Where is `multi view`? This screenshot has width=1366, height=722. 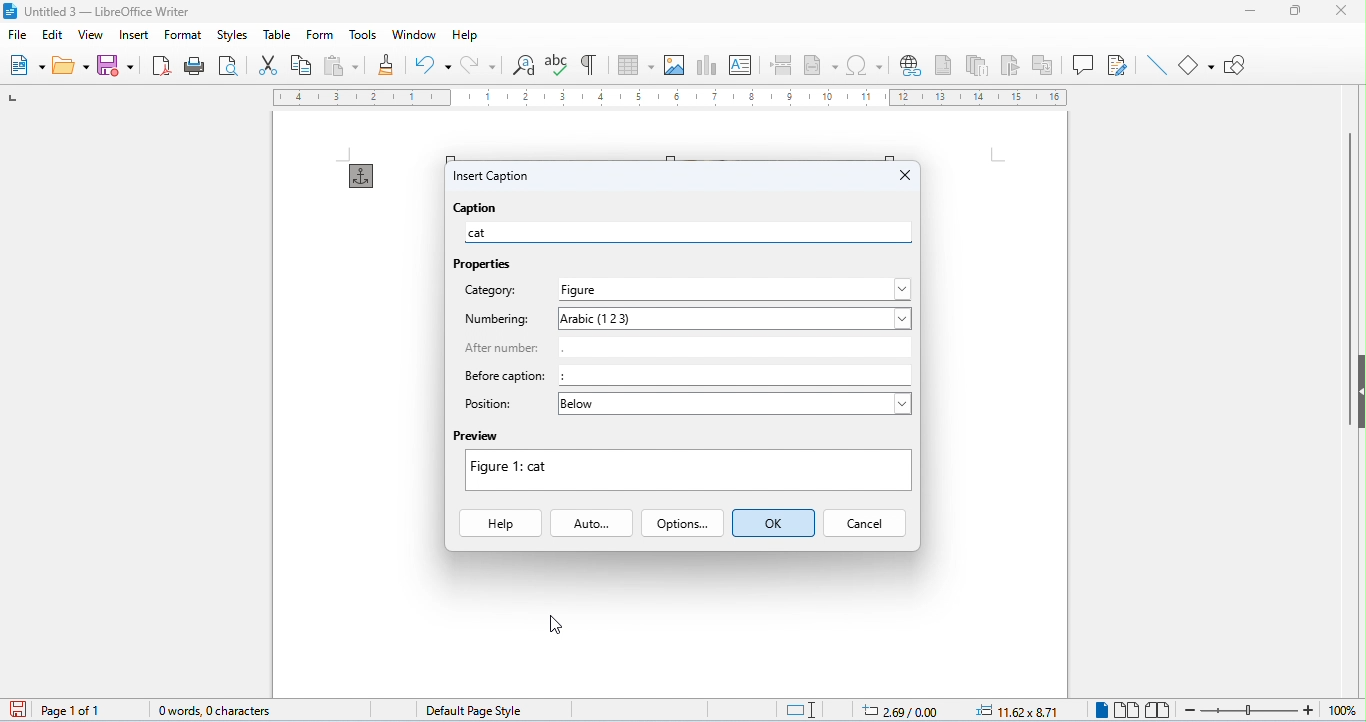 multi view is located at coordinates (1127, 710).